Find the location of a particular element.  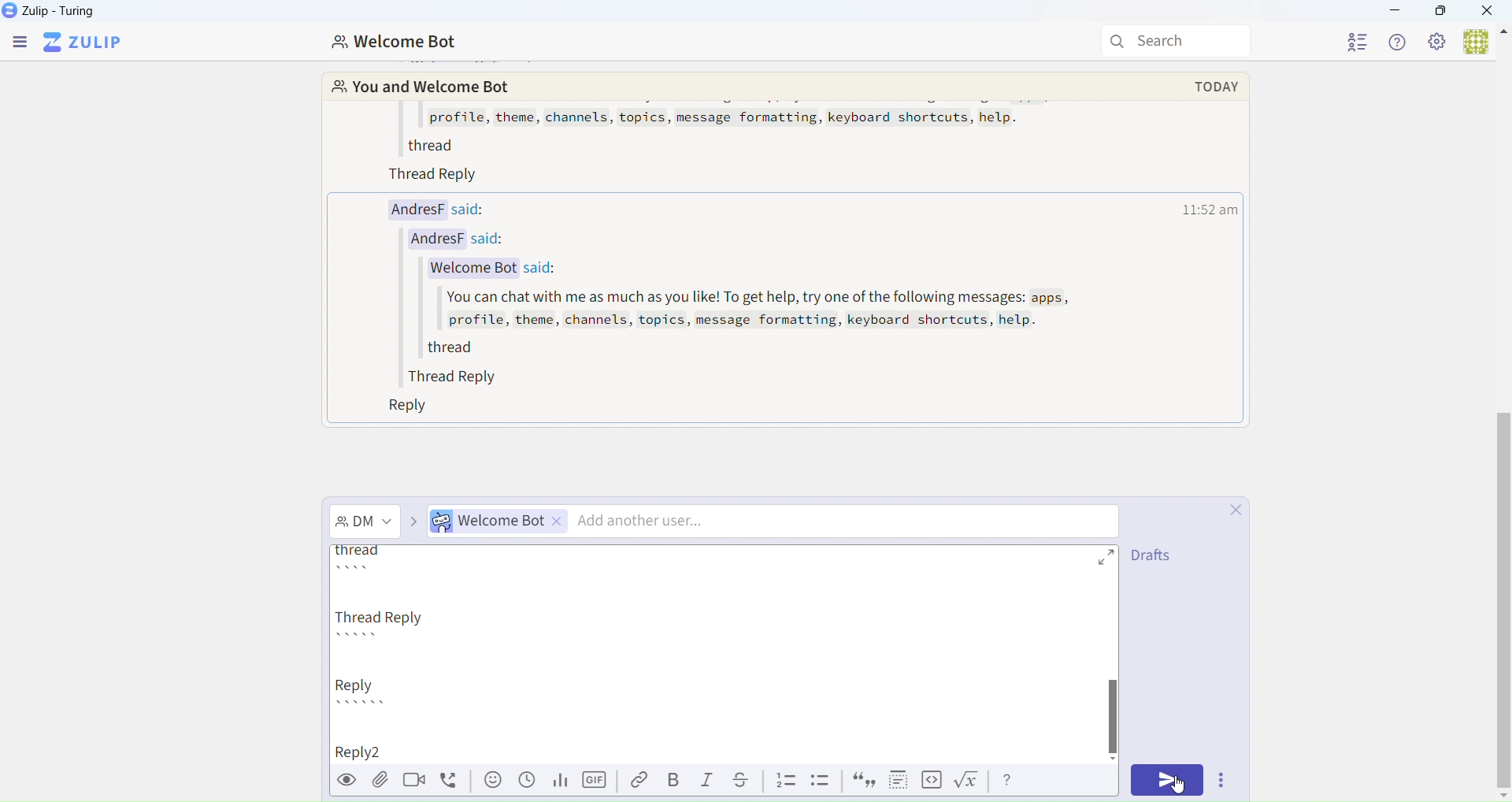

spoiler is located at coordinates (899, 782).